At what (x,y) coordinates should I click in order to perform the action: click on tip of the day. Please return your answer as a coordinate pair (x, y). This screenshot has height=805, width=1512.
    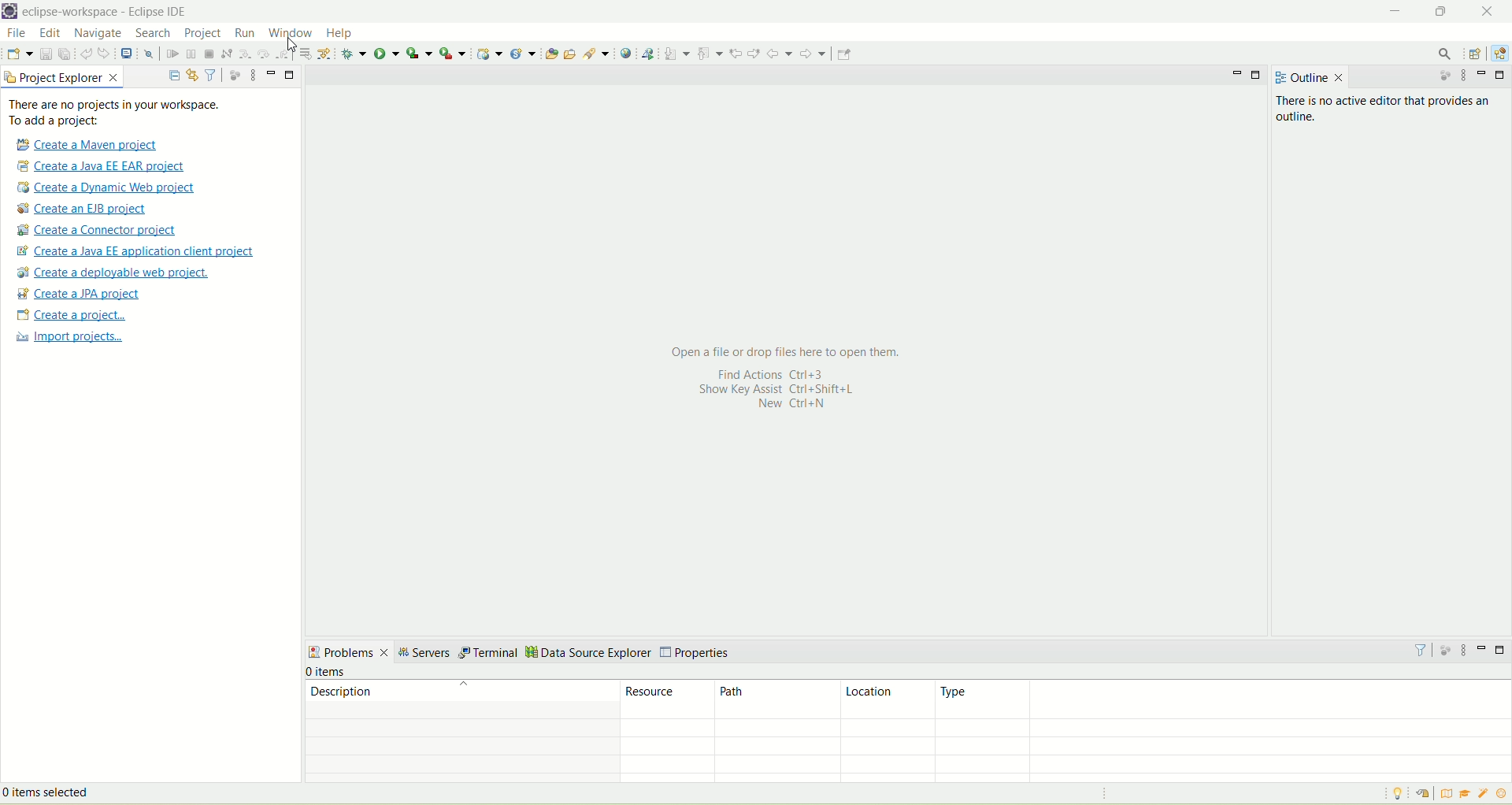
    Looking at the image, I should click on (1395, 794).